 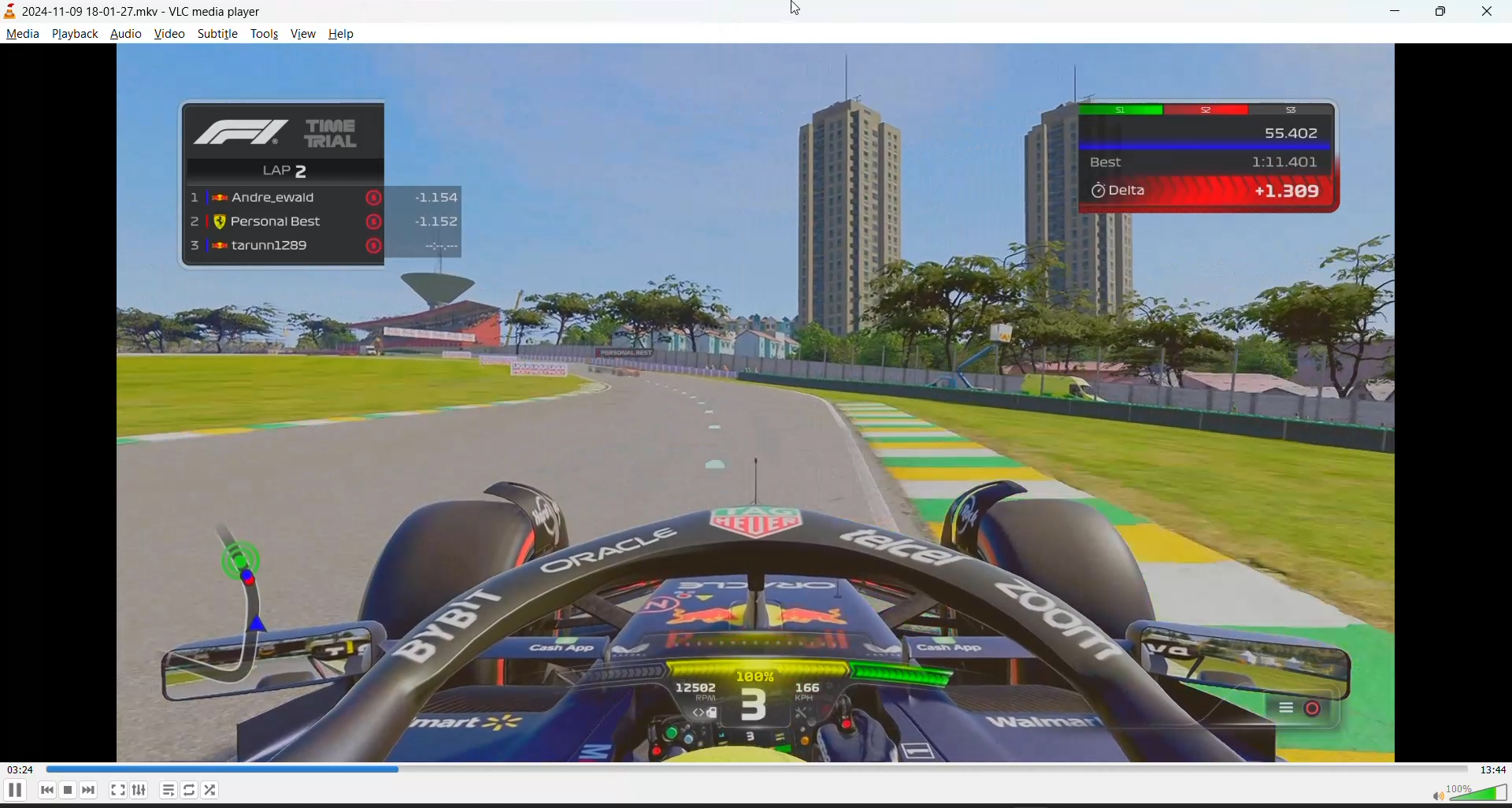 I want to click on playlist, so click(x=169, y=790).